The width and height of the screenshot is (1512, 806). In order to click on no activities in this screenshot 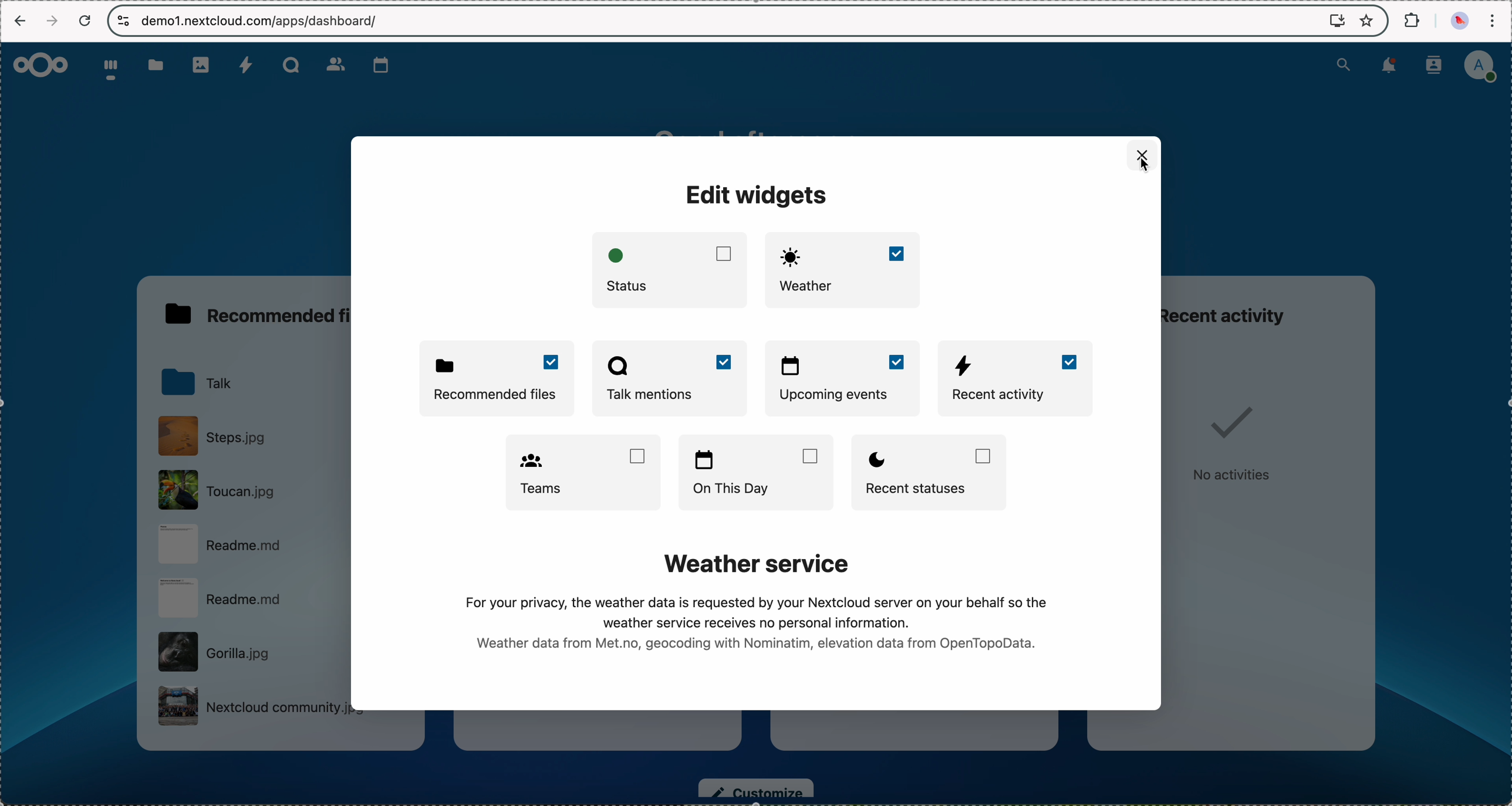, I will do `click(1234, 438)`.